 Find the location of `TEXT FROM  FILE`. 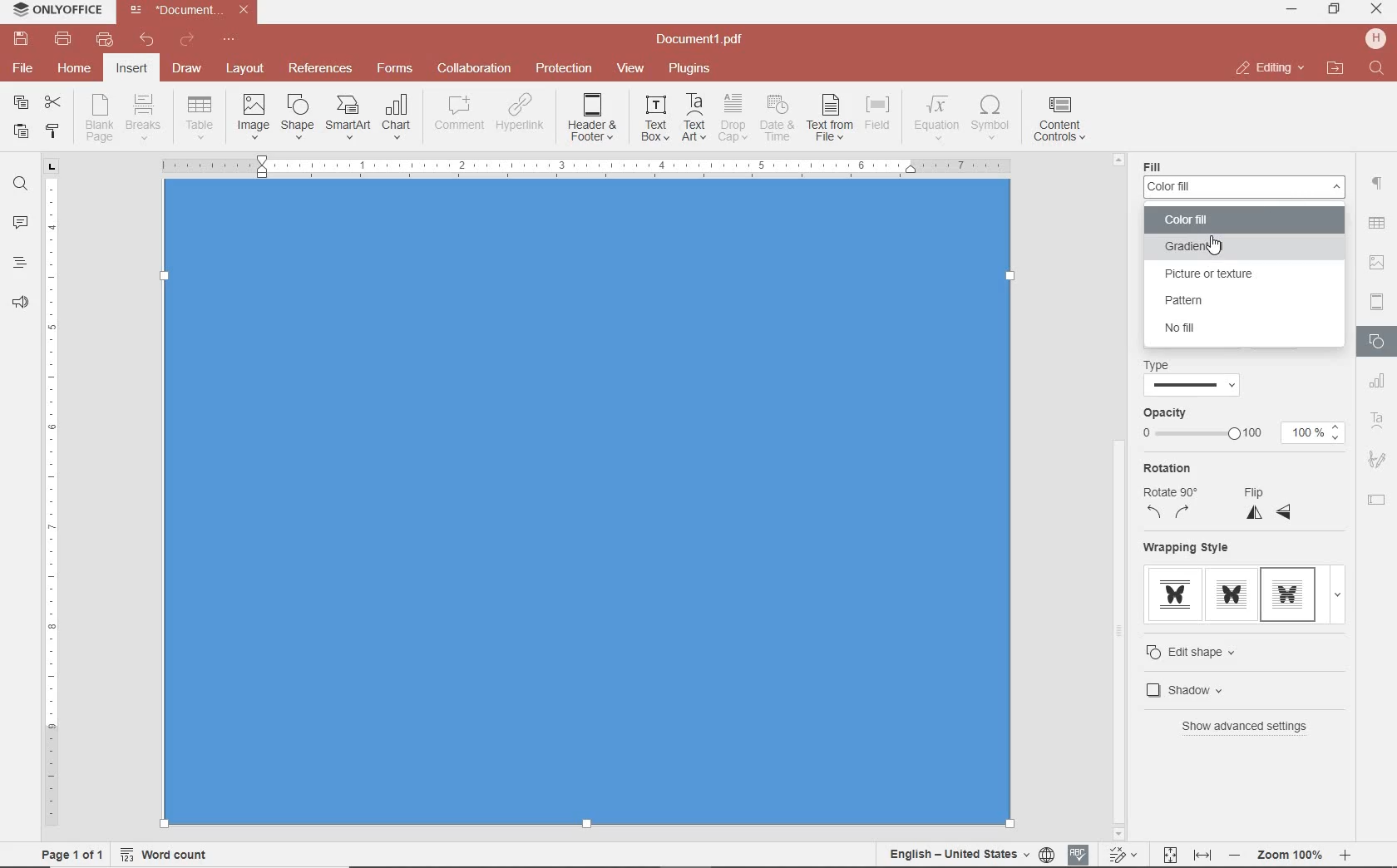

TEXT FROM  FILE is located at coordinates (830, 118).